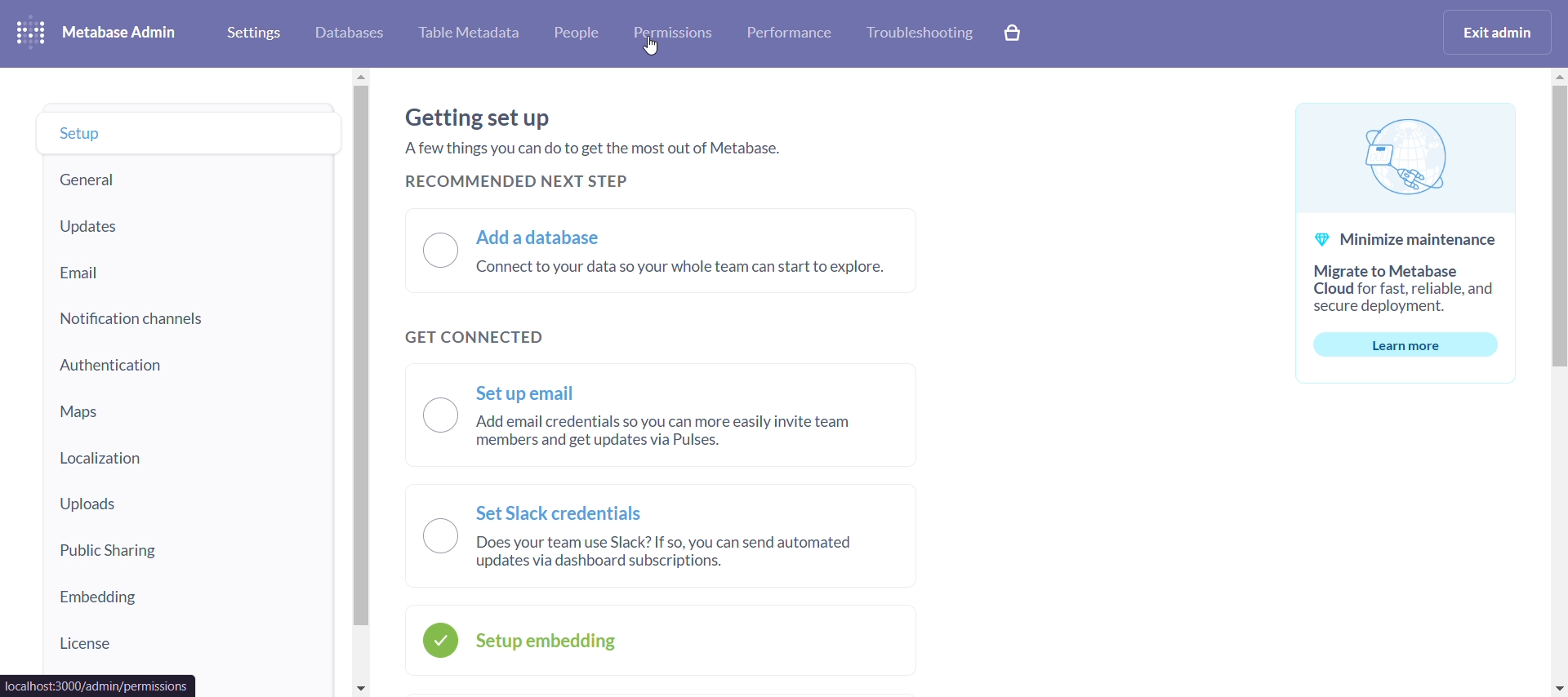 The image size is (1568, 697). Describe the element at coordinates (476, 339) in the screenshot. I see `get connected` at that location.